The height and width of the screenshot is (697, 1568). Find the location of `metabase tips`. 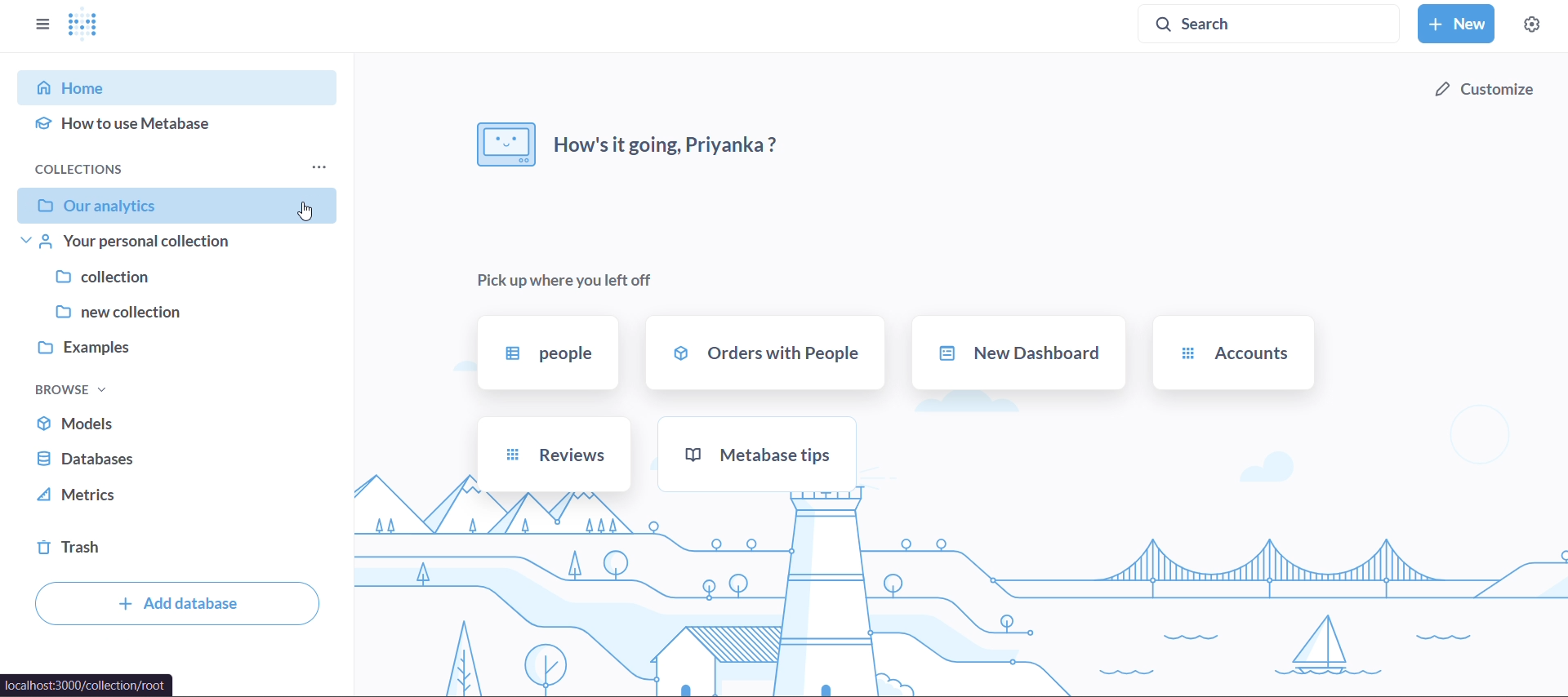

metabase tips is located at coordinates (756, 454).